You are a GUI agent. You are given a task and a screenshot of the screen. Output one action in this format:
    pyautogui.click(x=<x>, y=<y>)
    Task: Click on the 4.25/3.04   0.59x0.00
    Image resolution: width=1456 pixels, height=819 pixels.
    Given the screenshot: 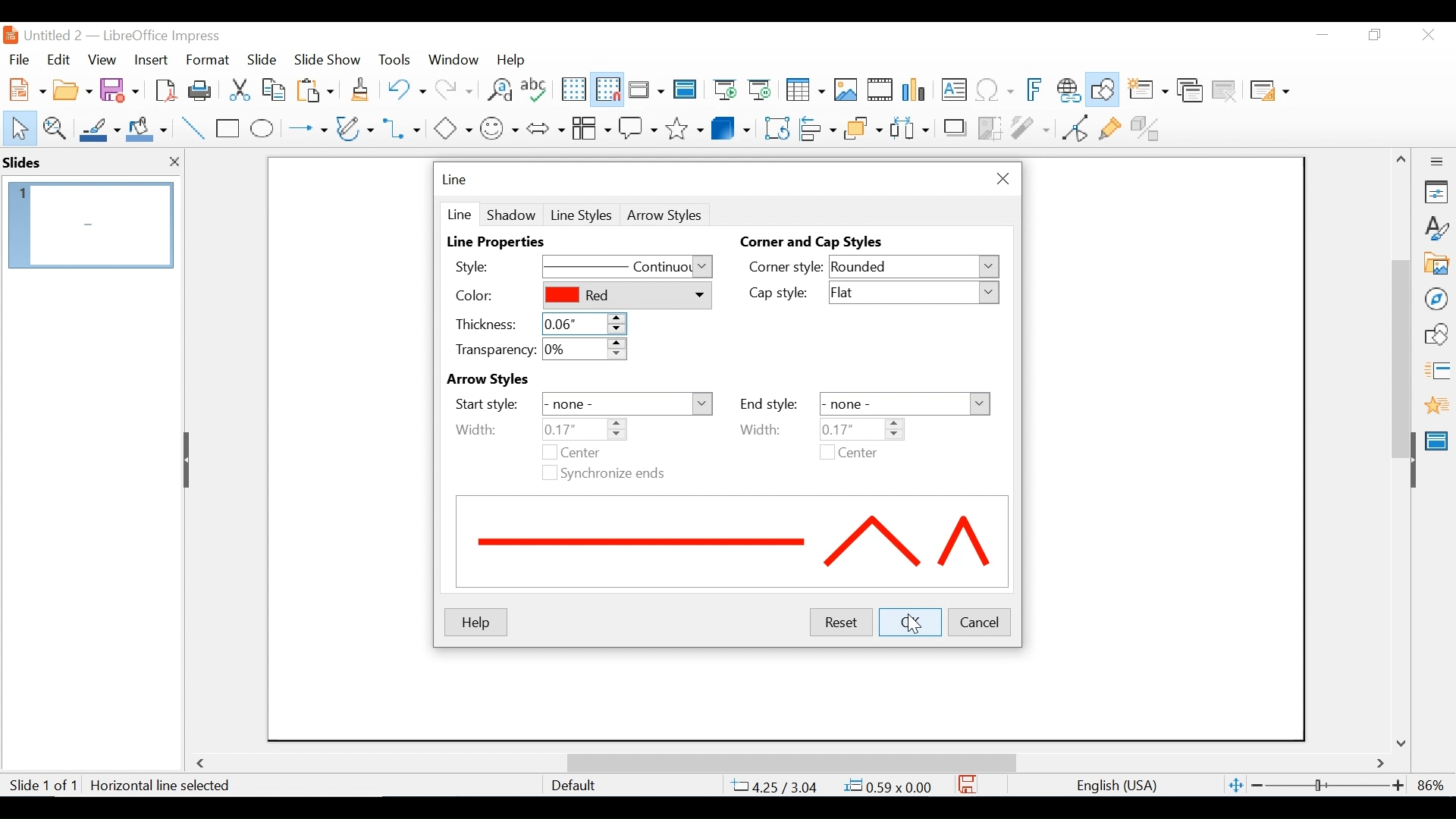 What is the action you would take?
    pyautogui.click(x=833, y=786)
    